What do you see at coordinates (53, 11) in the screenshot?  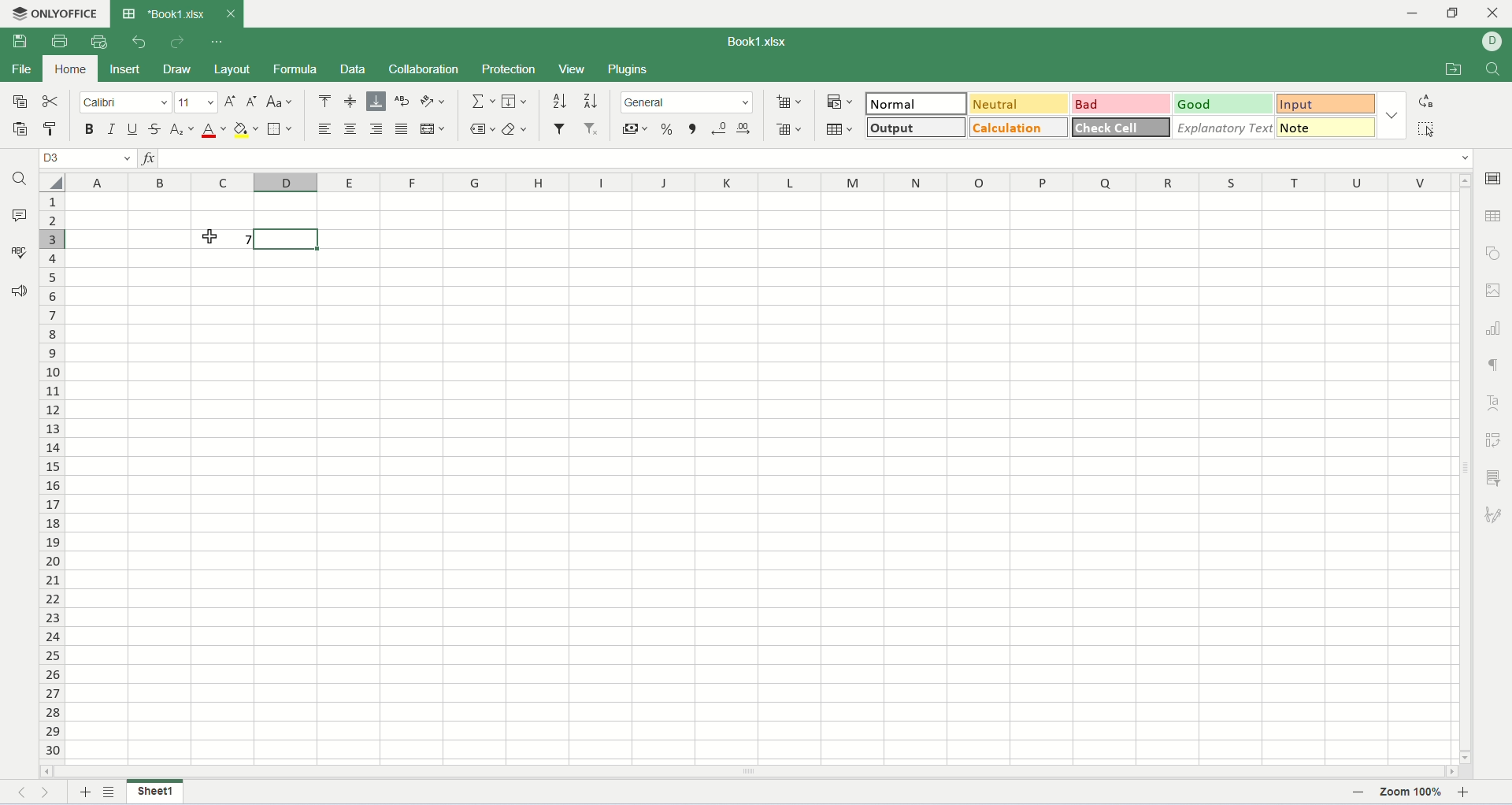 I see `onlyoffice` at bounding box center [53, 11].